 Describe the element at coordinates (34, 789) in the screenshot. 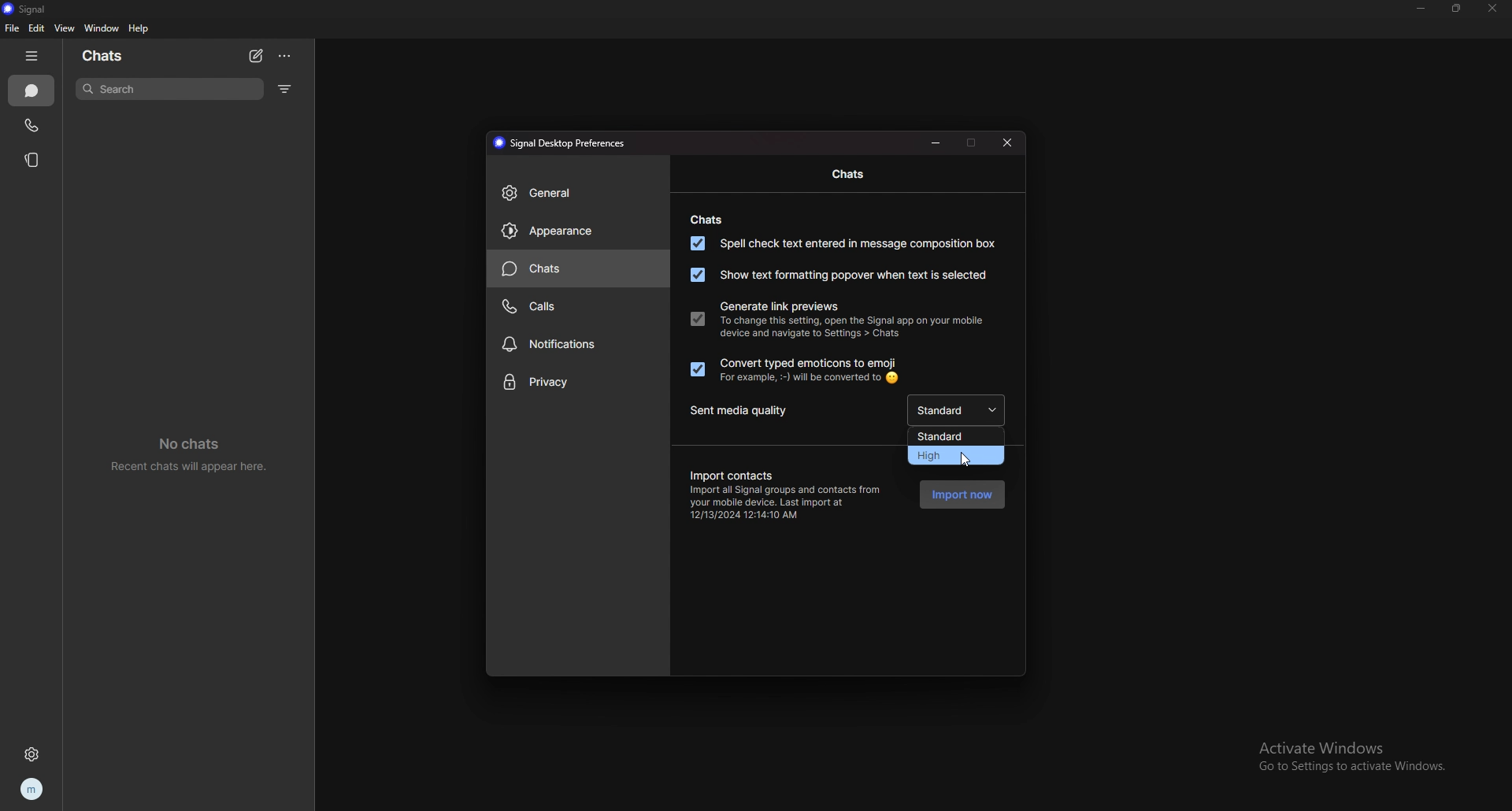

I see `profile` at that location.